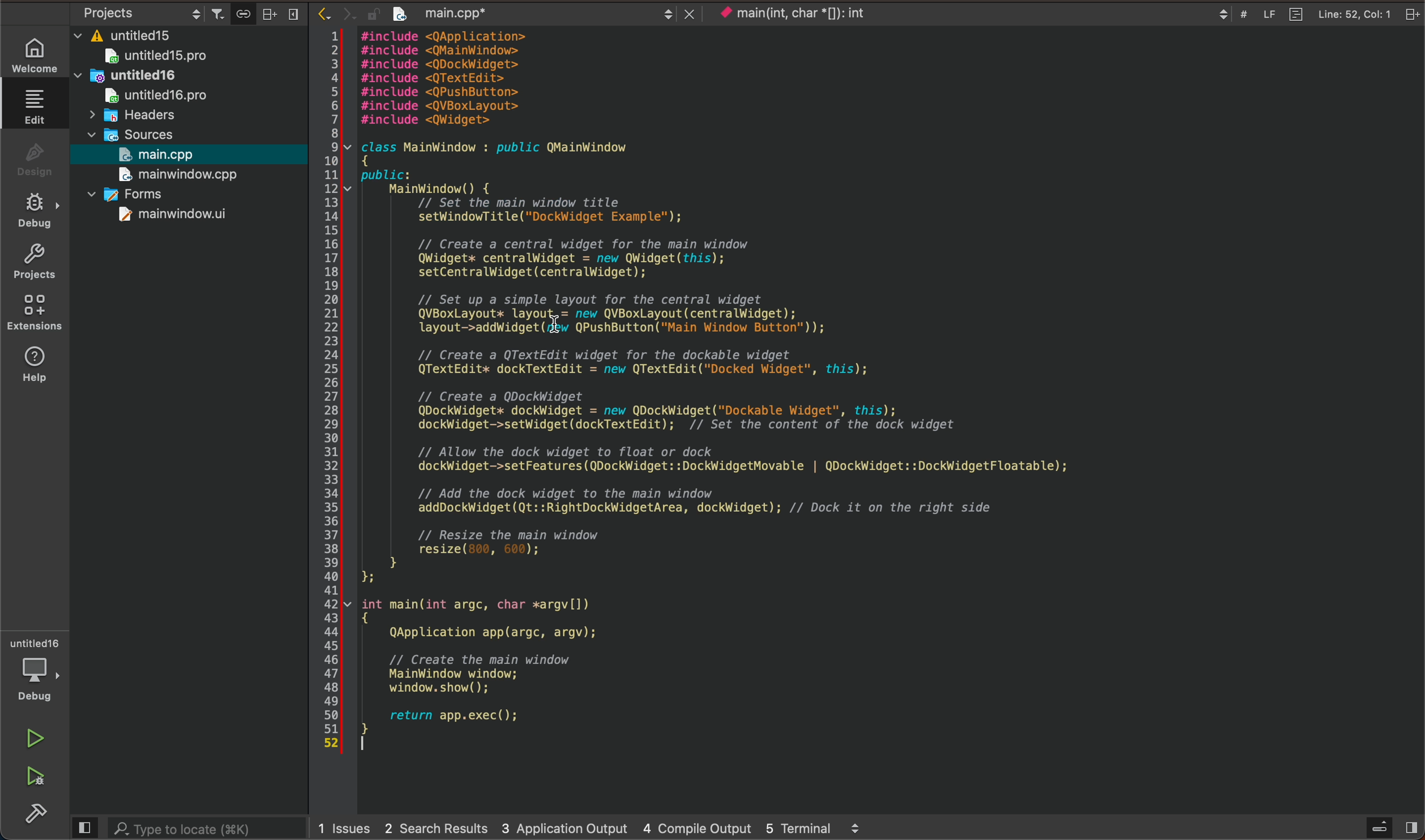  I want to click on edit, so click(29, 104).